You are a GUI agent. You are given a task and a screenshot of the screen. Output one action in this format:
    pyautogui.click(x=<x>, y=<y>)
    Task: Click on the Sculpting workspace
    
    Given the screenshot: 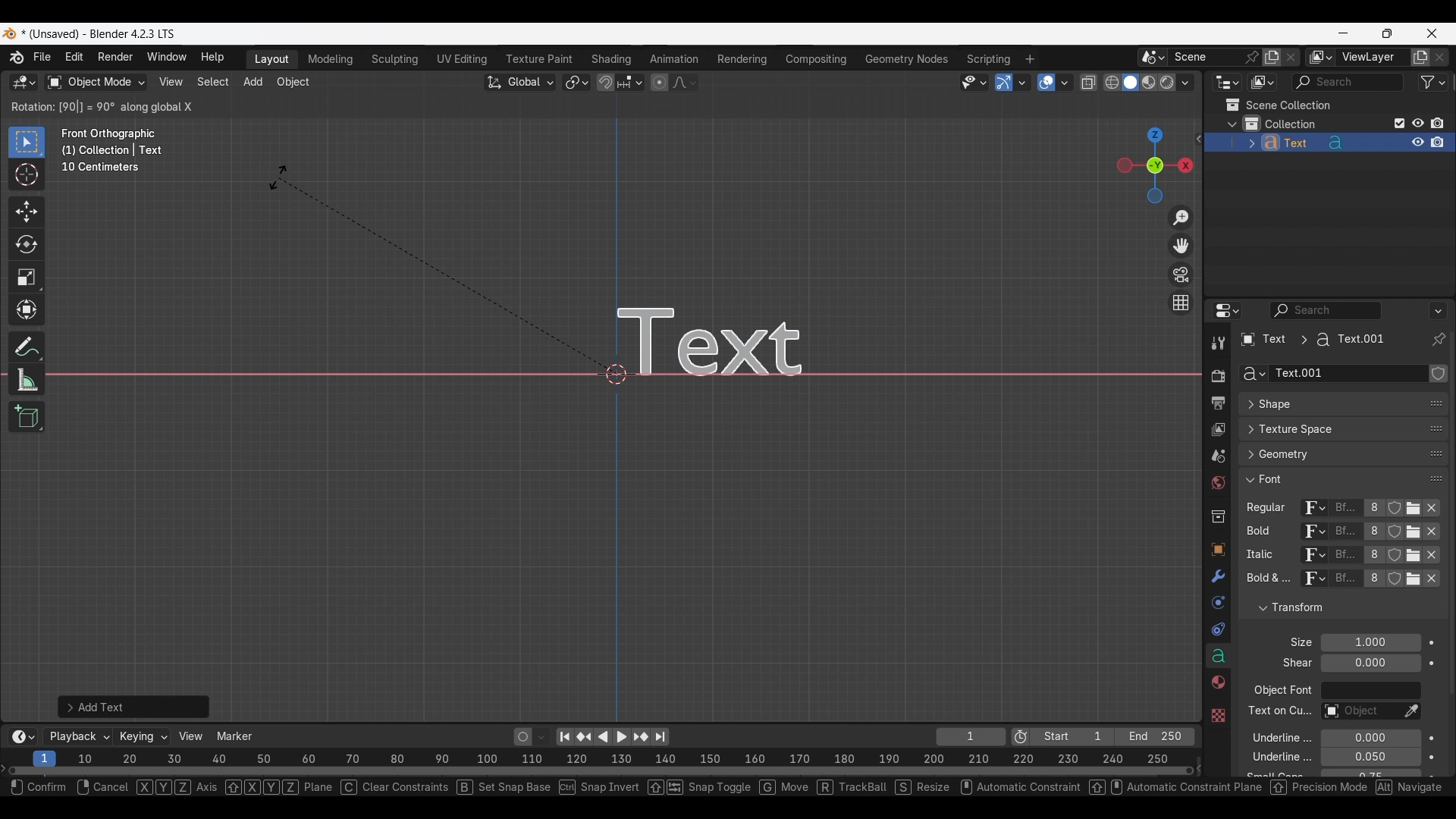 What is the action you would take?
    pyautogui.click(x=397, y=59)
    